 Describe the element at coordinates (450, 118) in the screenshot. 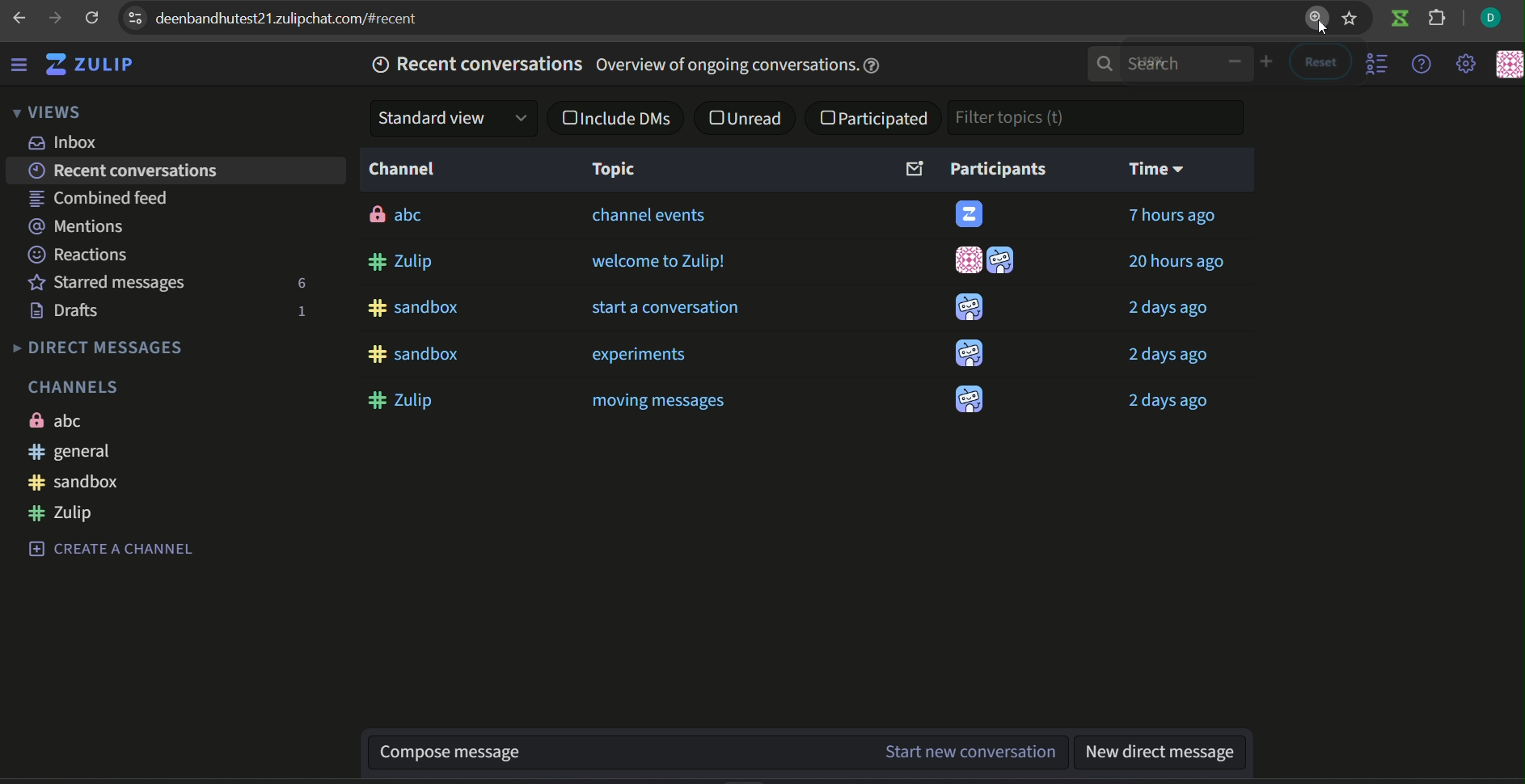

I see `standard view` at that location.